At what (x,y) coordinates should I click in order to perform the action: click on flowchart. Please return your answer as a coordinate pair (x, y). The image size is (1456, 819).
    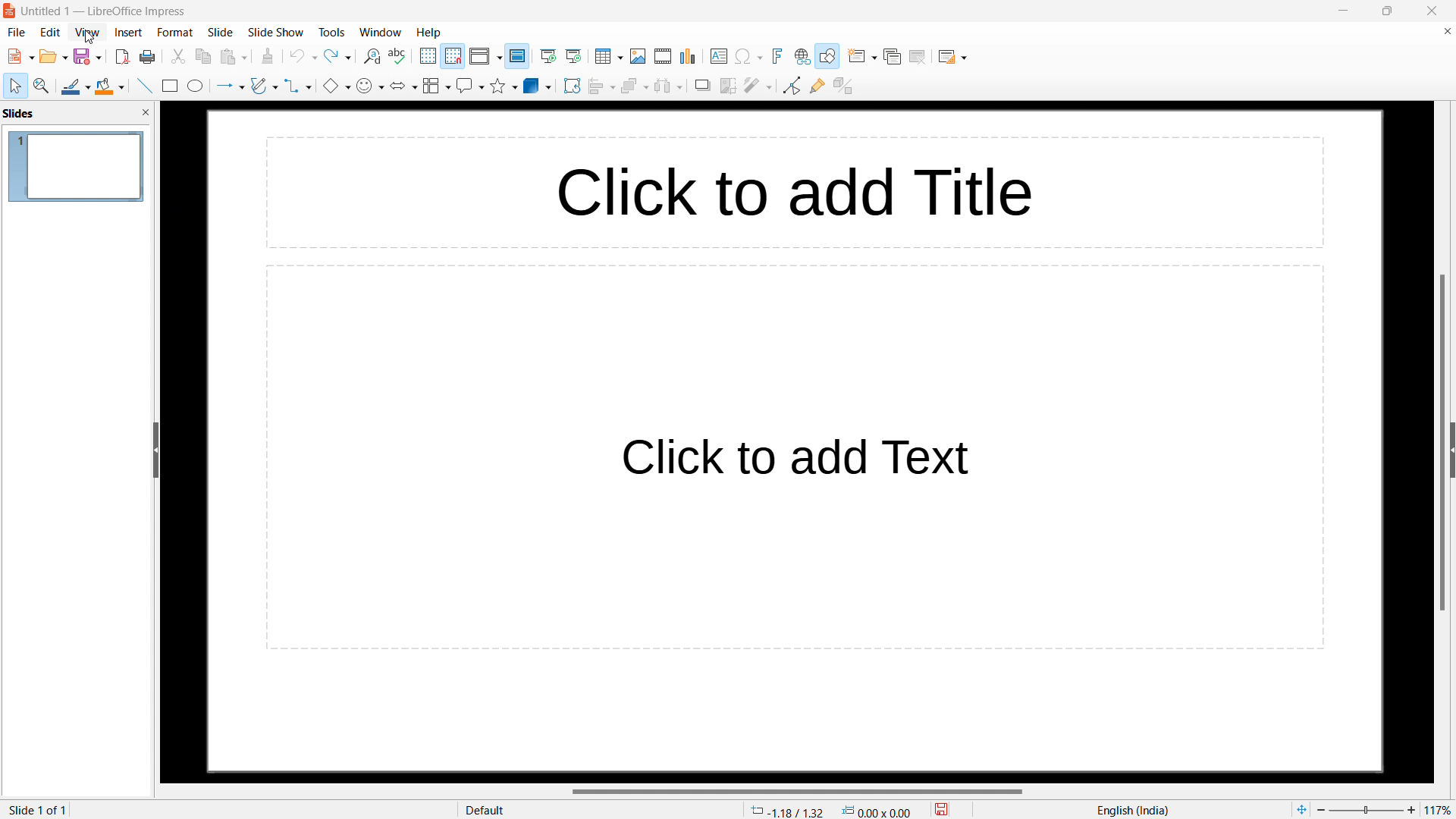
    Looking at the image, I should click on (437, 86).